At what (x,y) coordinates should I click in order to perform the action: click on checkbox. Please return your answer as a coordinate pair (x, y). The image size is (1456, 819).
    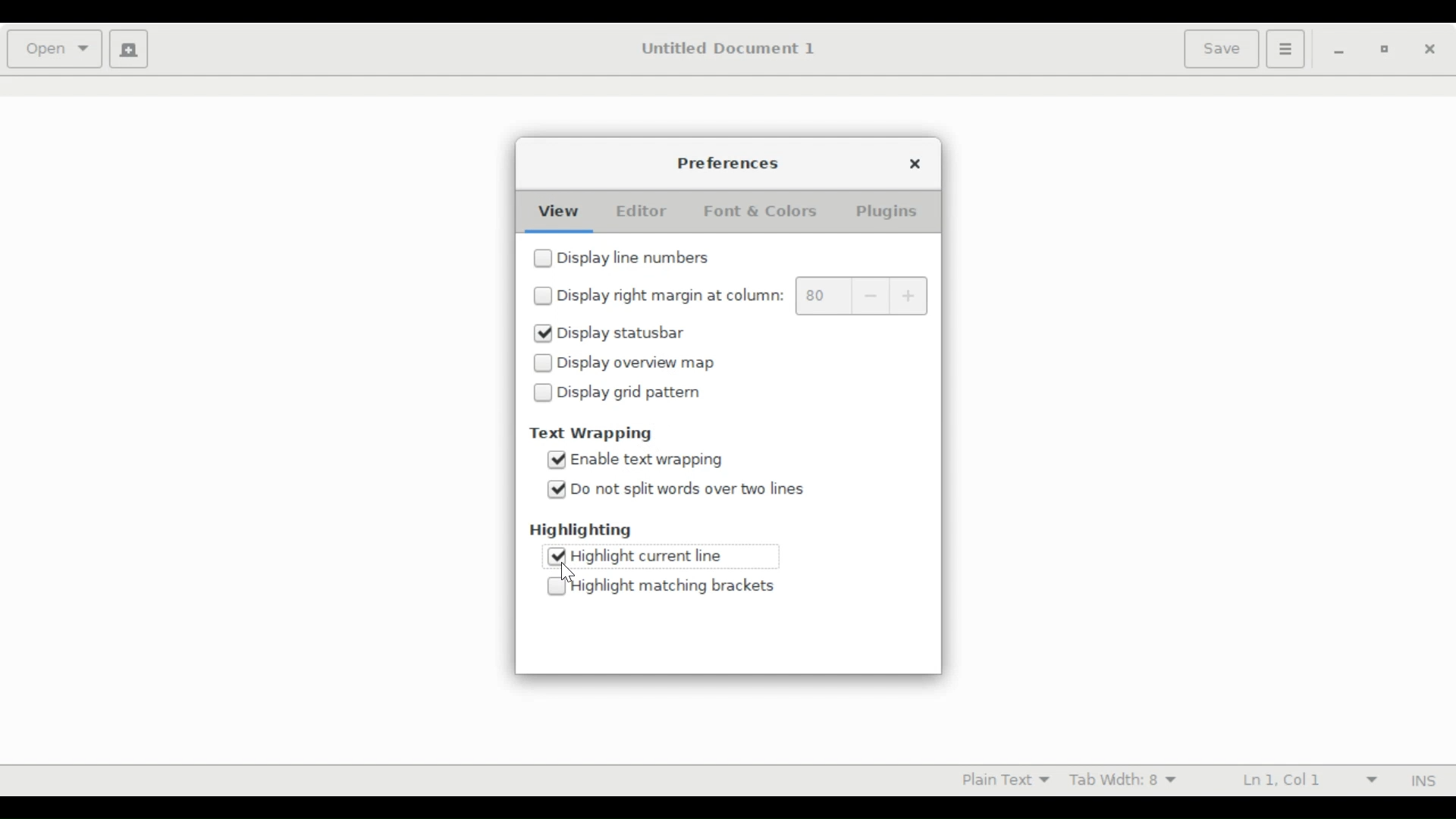
    Looking at the image, I should click on (543, 393).